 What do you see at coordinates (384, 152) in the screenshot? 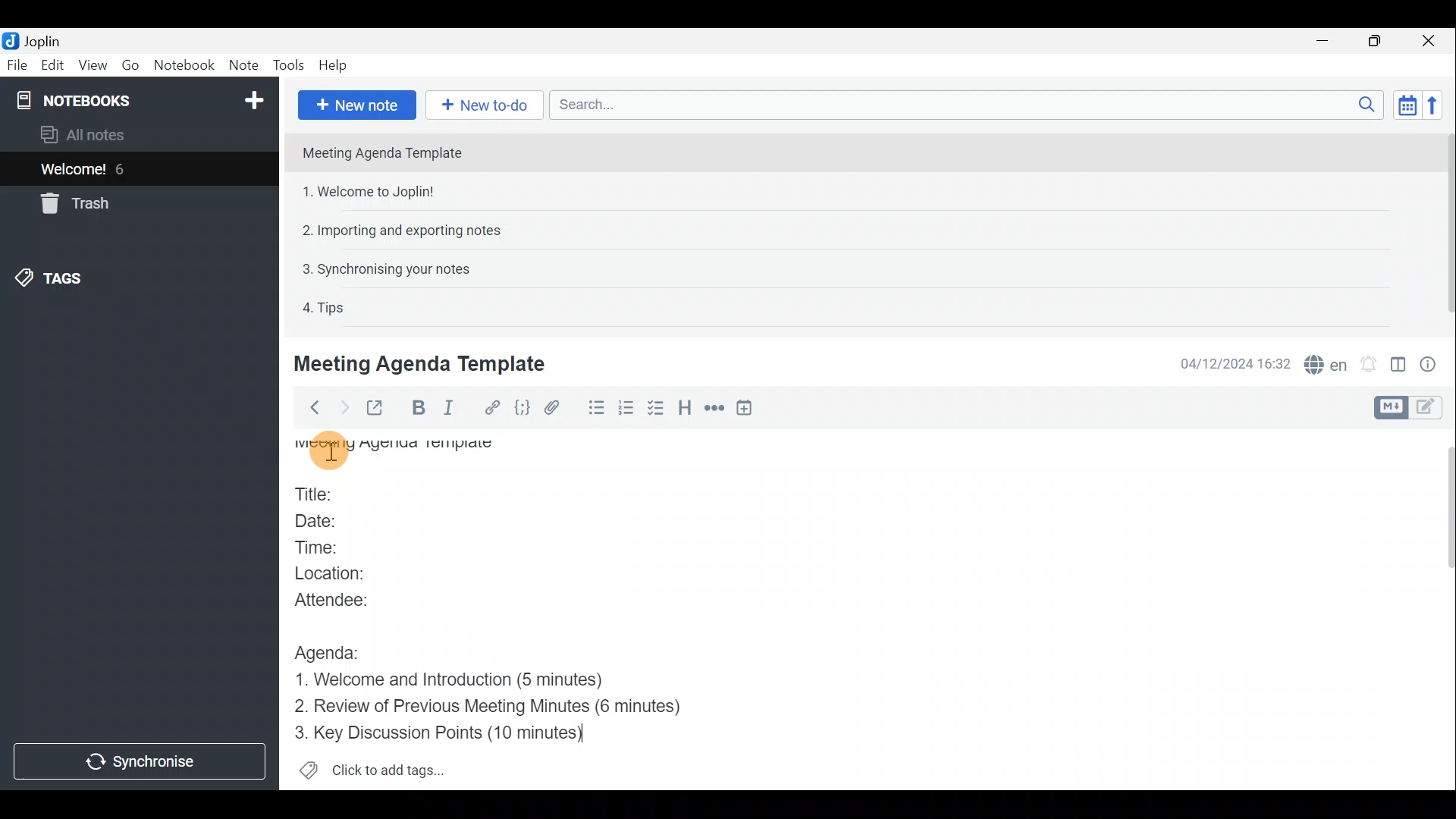
I see `Meeting Agenda Template` at bounding box center [384, 152].